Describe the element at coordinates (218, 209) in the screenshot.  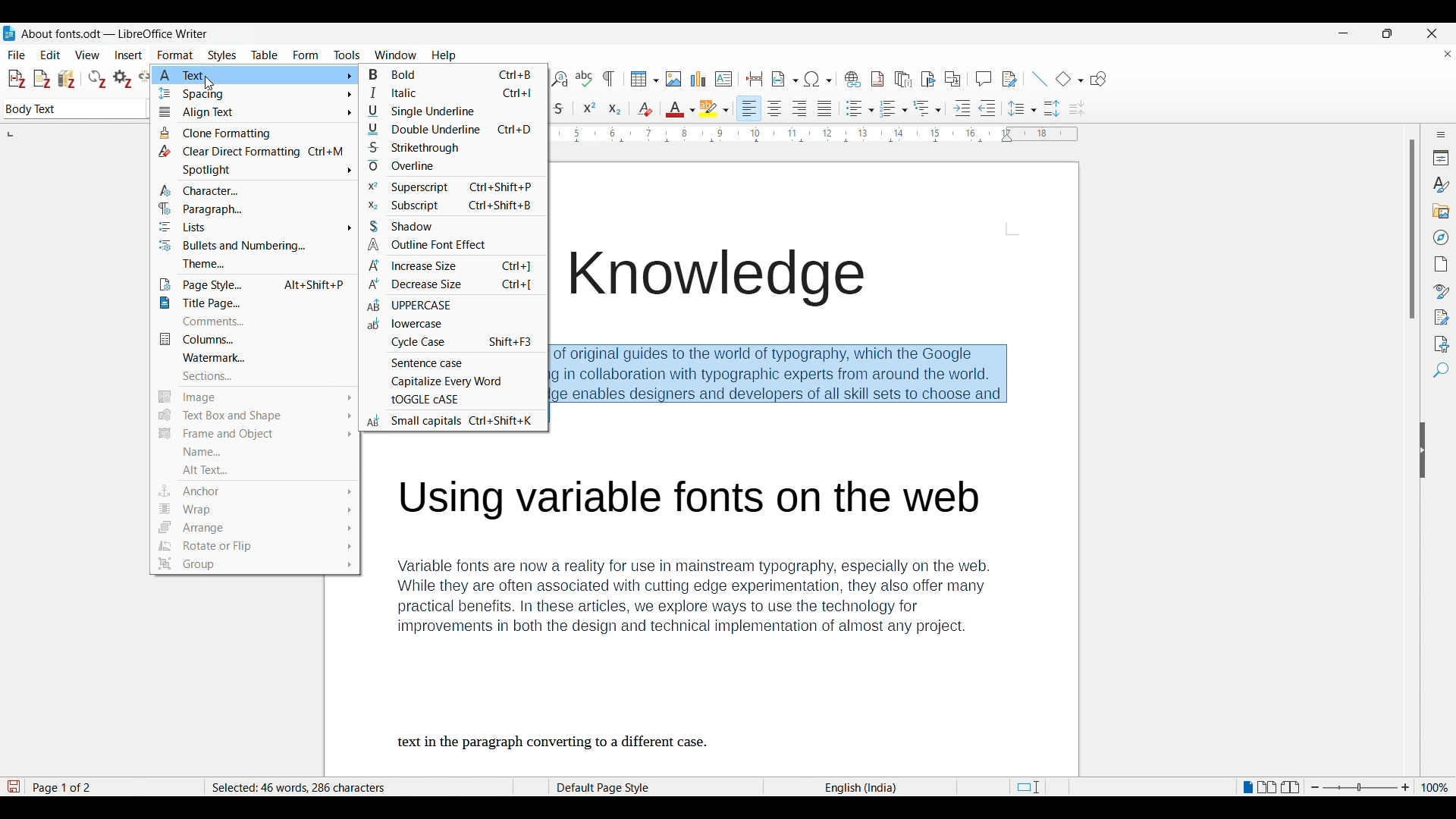
I see `paragraph` at that location.